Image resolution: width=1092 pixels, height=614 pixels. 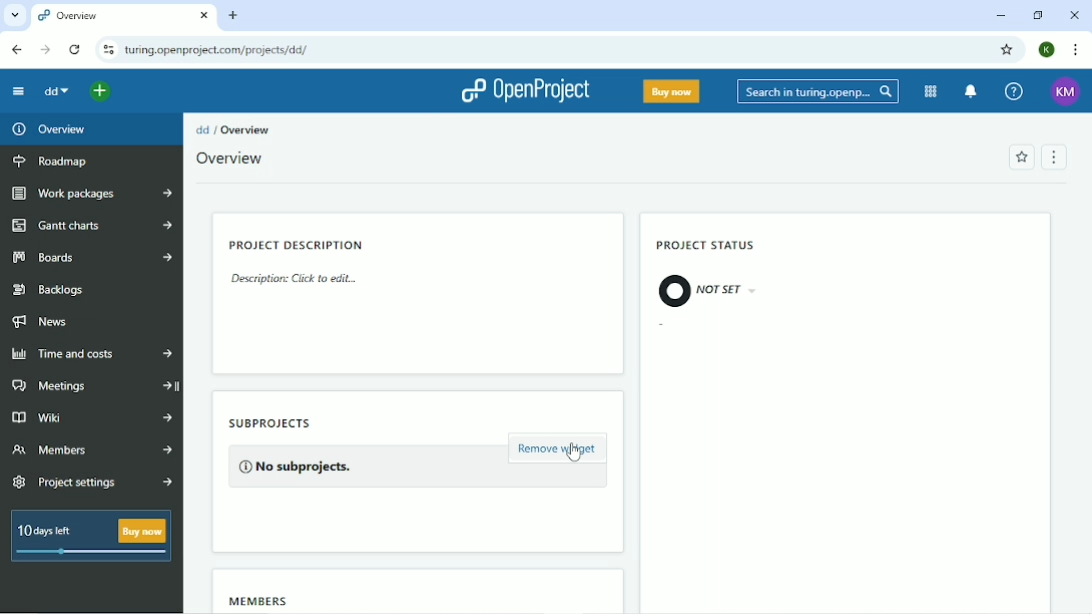 What do you see at coordinates (1047, 48) in the screenshot?
I see `Account` at bounding box center [1047, 48].